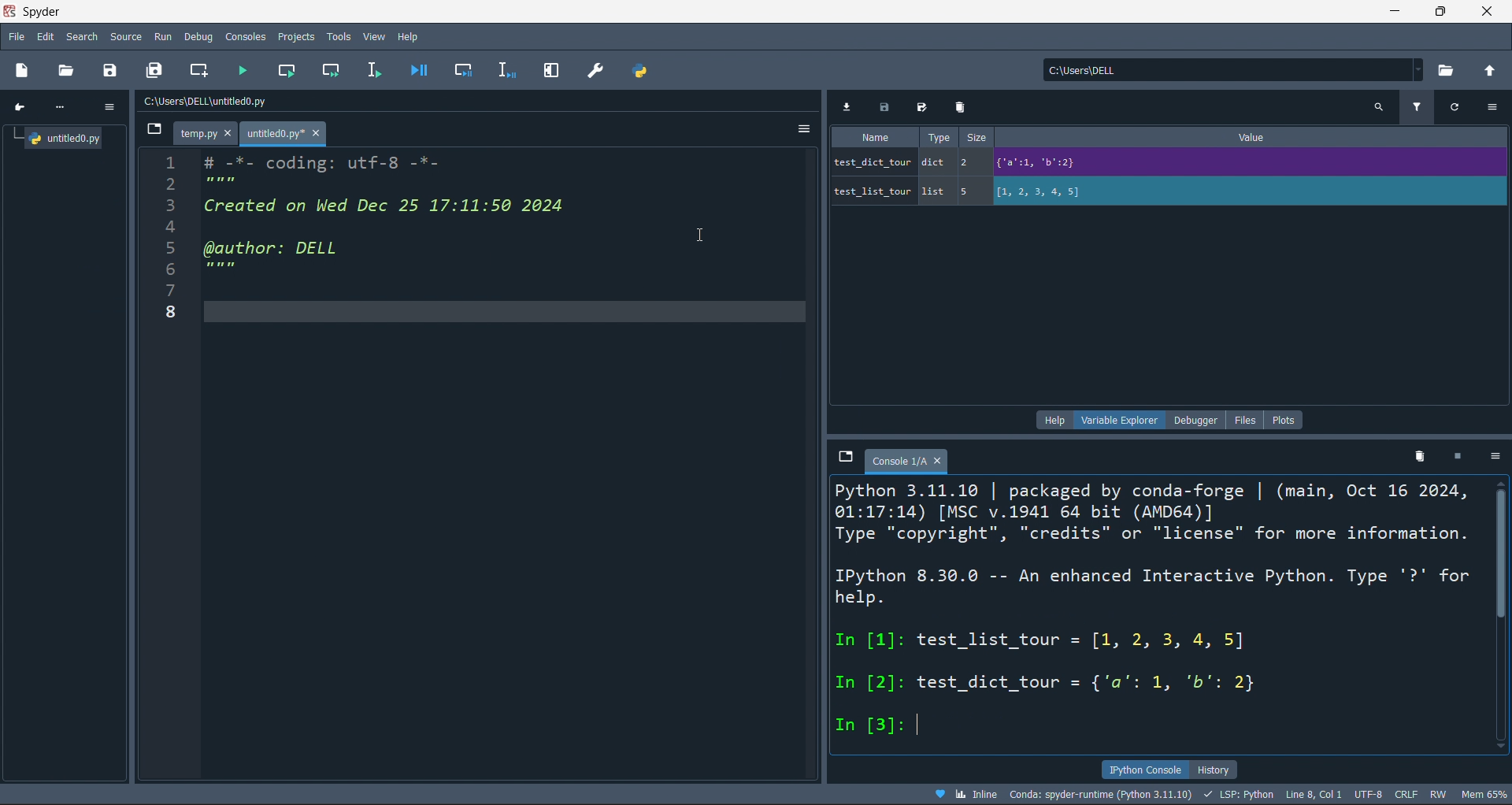  I want to click on maximiz, so click(1444, 12).